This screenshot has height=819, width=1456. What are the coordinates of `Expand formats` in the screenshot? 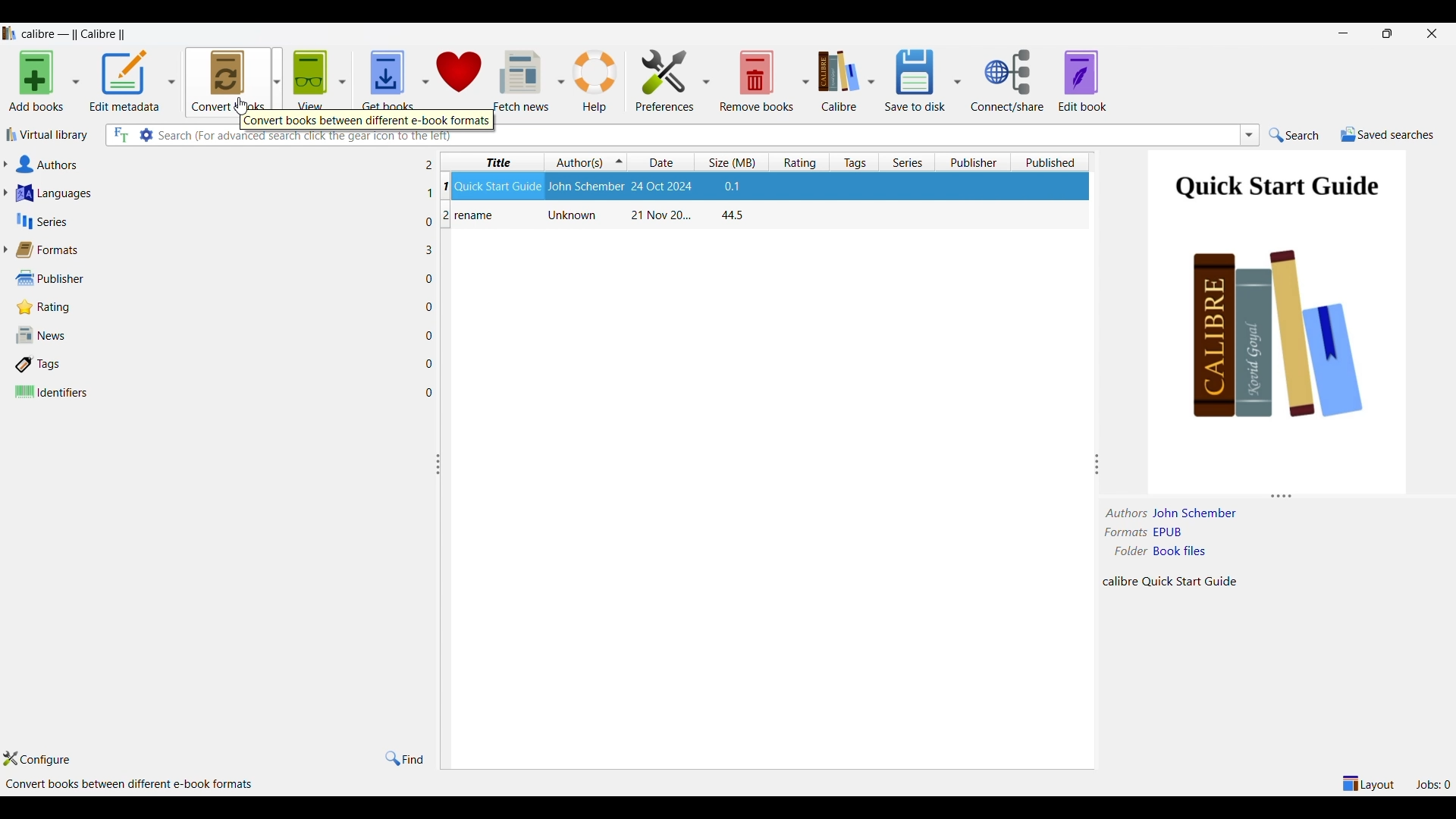 It's located at (5, 249).